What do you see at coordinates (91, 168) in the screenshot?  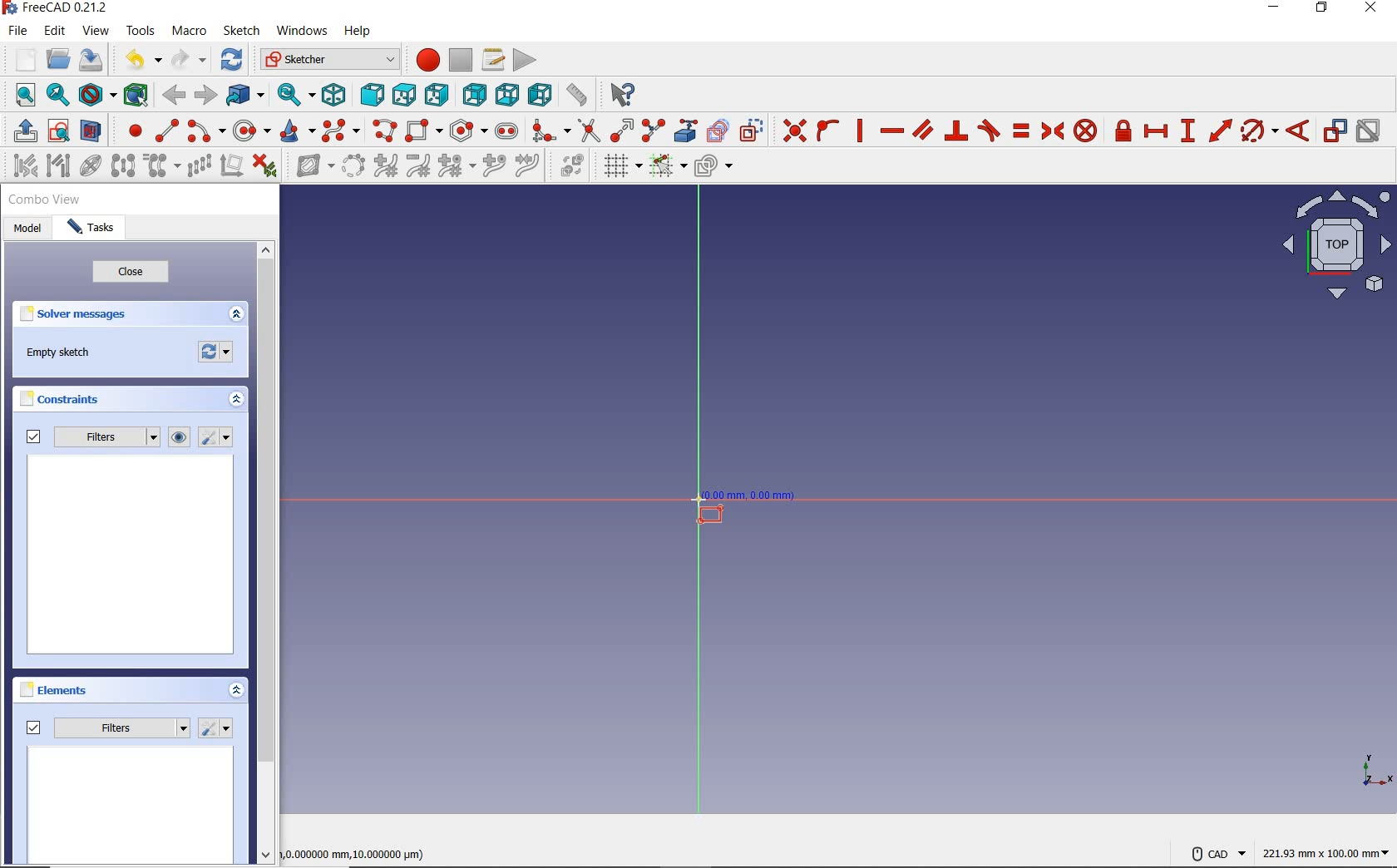 I see `show/hide internal geometry` at bounding box center [91, 168].